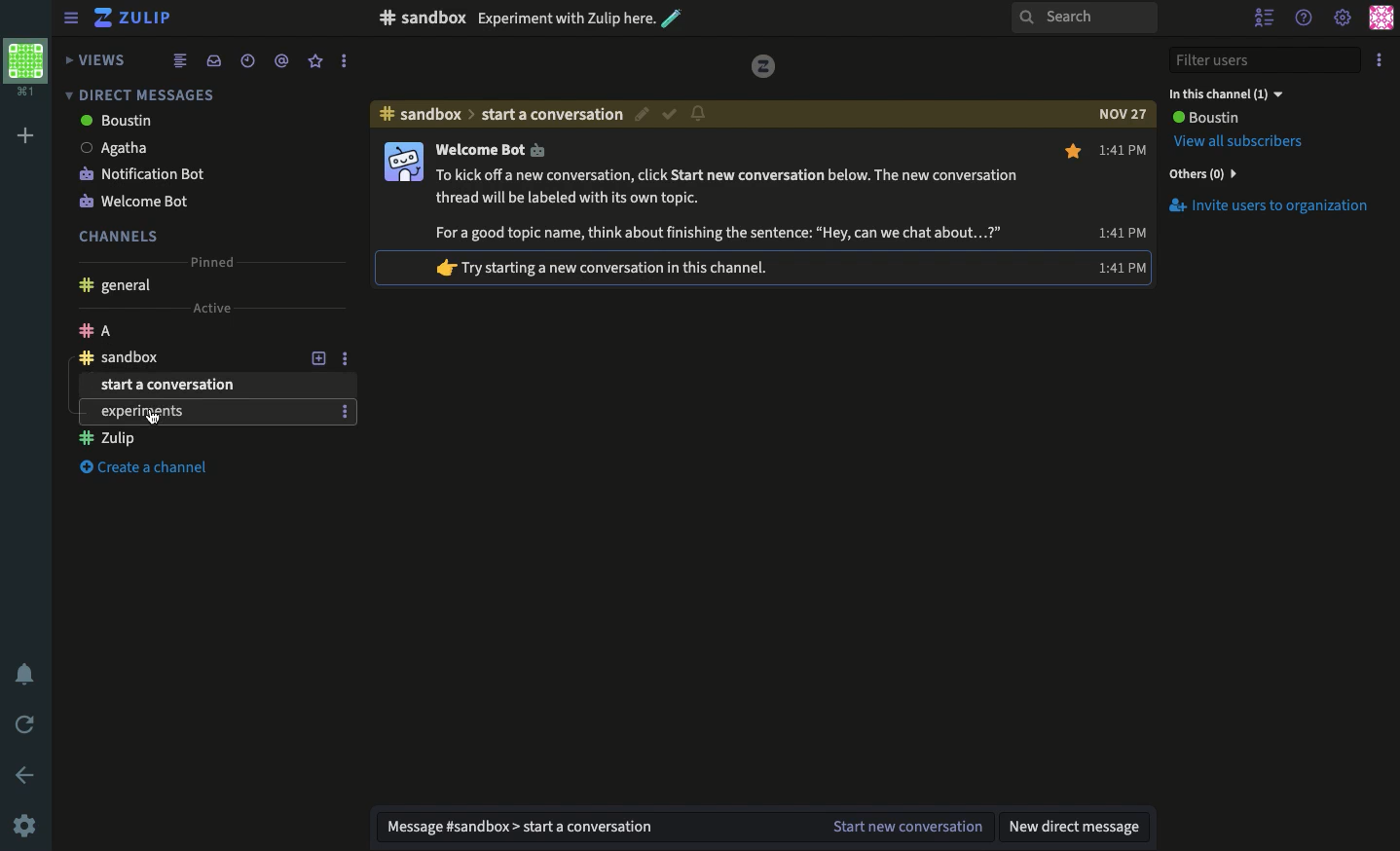 Image resolution: width=1400 pixels, height=851 pixels. What do you see at coordinates (1122, 114) in the screenshot?
I see `date` at bounding box center [1122, 114].